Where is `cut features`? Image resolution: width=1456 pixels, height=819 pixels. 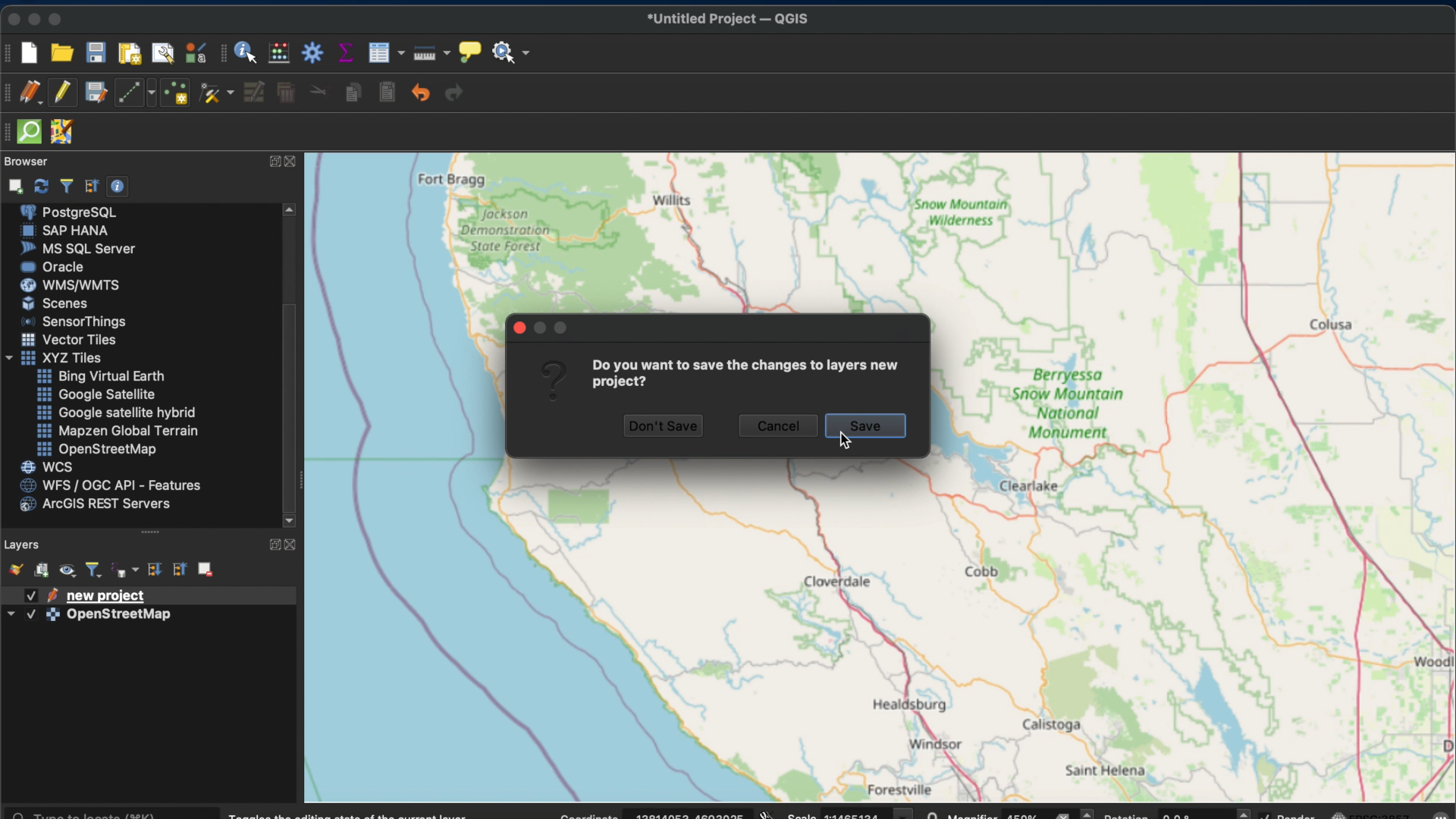
cut features is located at coordinates (320, 93).